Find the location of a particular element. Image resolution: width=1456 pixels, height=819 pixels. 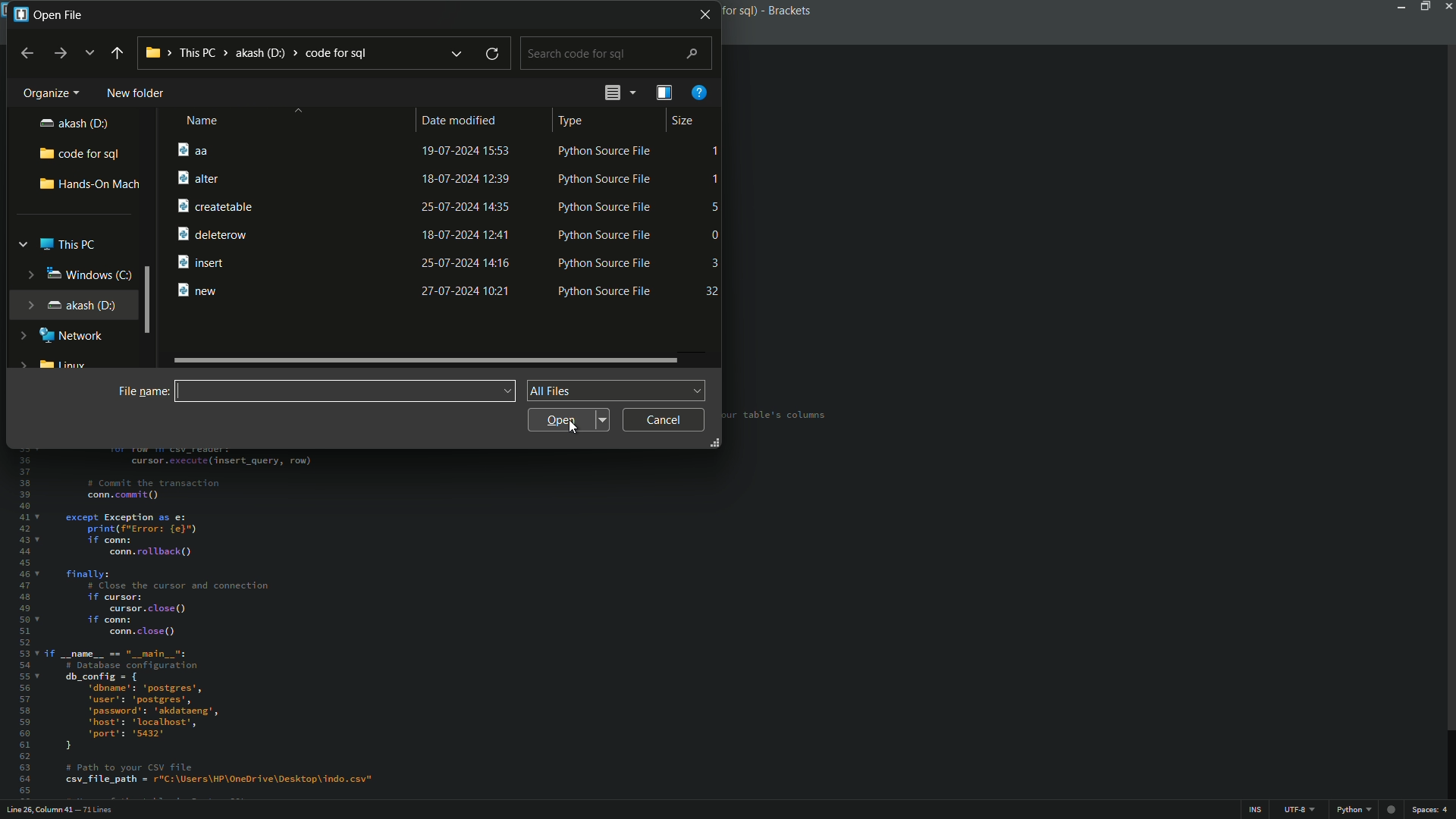

Python Source File is located at coordinates (603, 234).